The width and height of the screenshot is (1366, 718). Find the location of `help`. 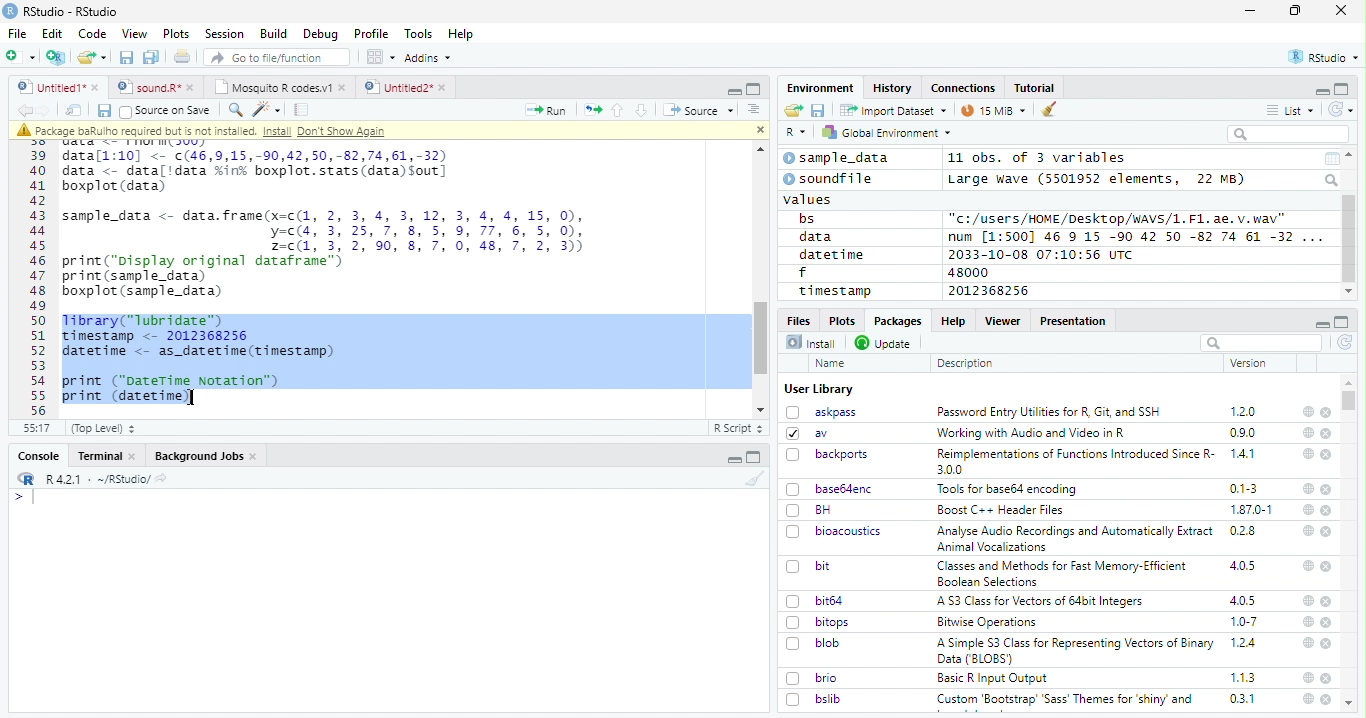

help is located at coordinates (1307, 565).